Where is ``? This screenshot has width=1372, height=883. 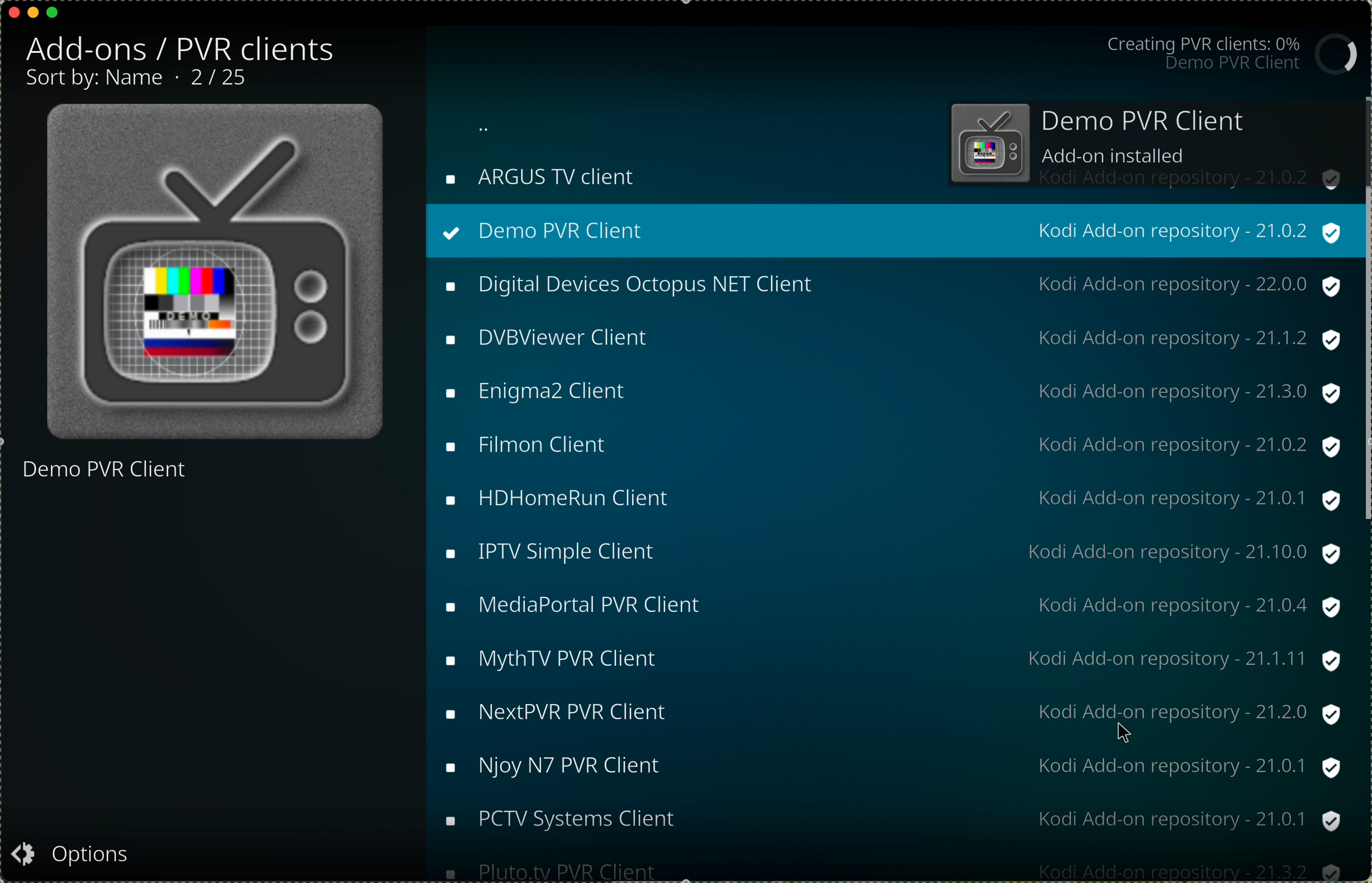  is located at coordinates (888, 285).